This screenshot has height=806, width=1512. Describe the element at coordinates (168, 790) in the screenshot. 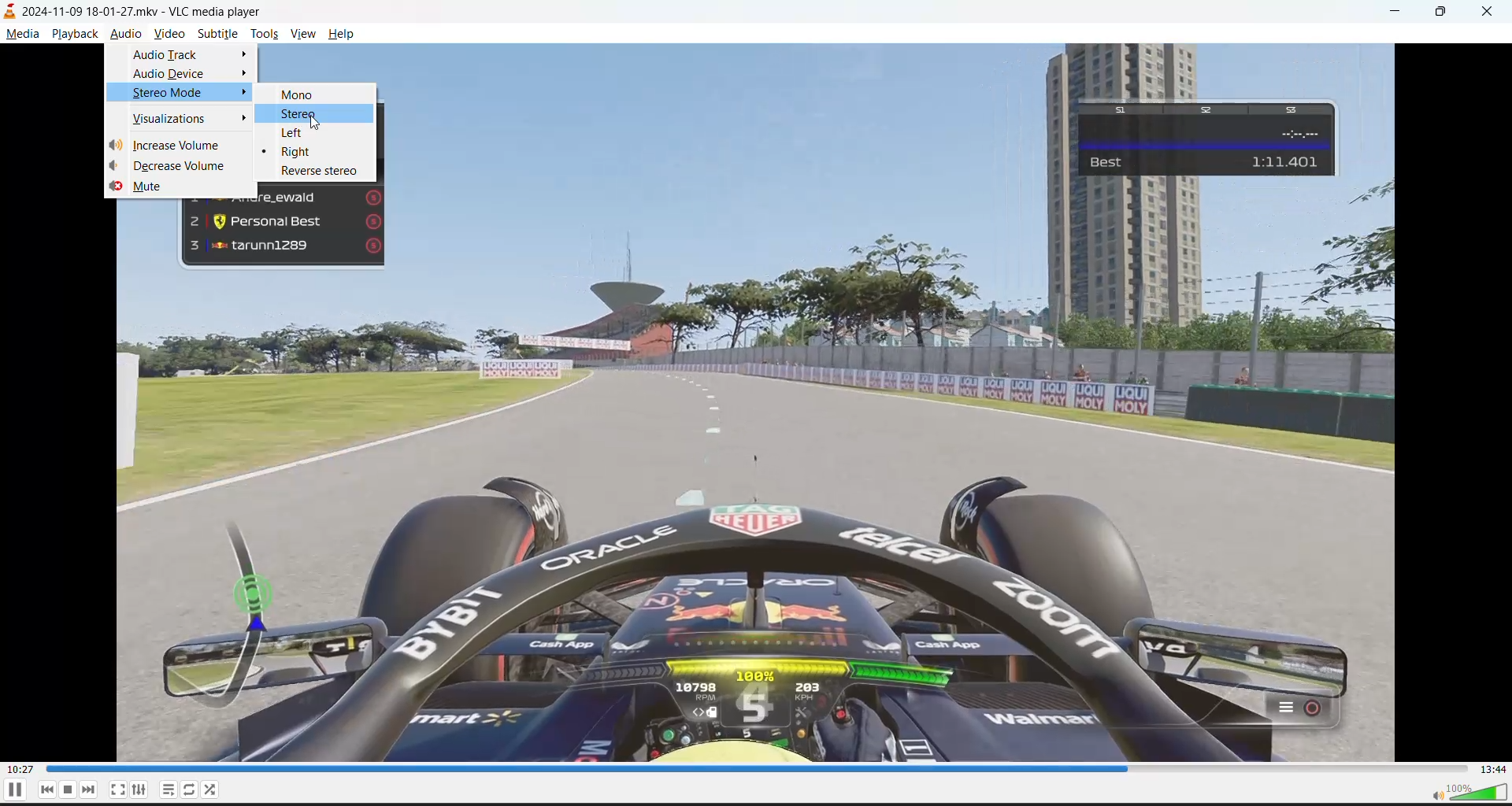

I see `playlists` at that location.